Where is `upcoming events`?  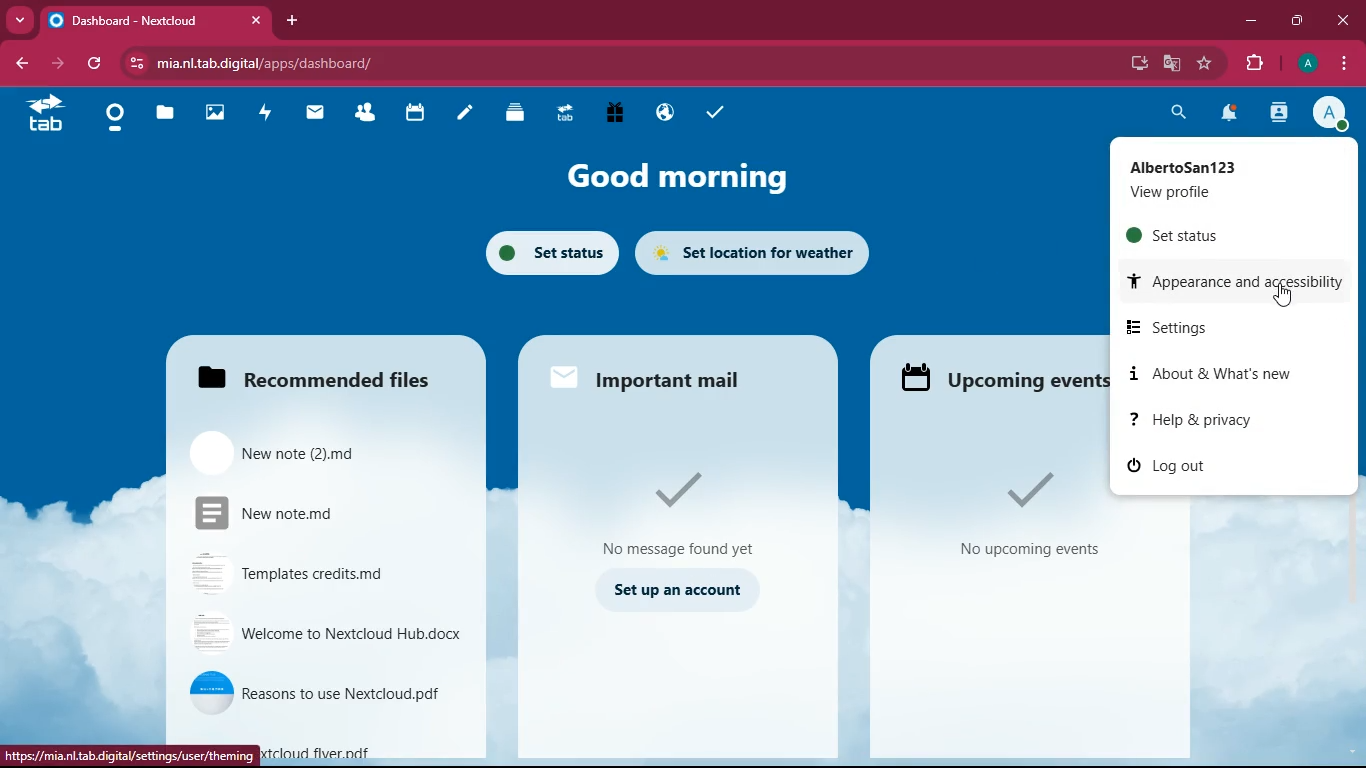 upcoming events is located at coordinates (1000, 379).